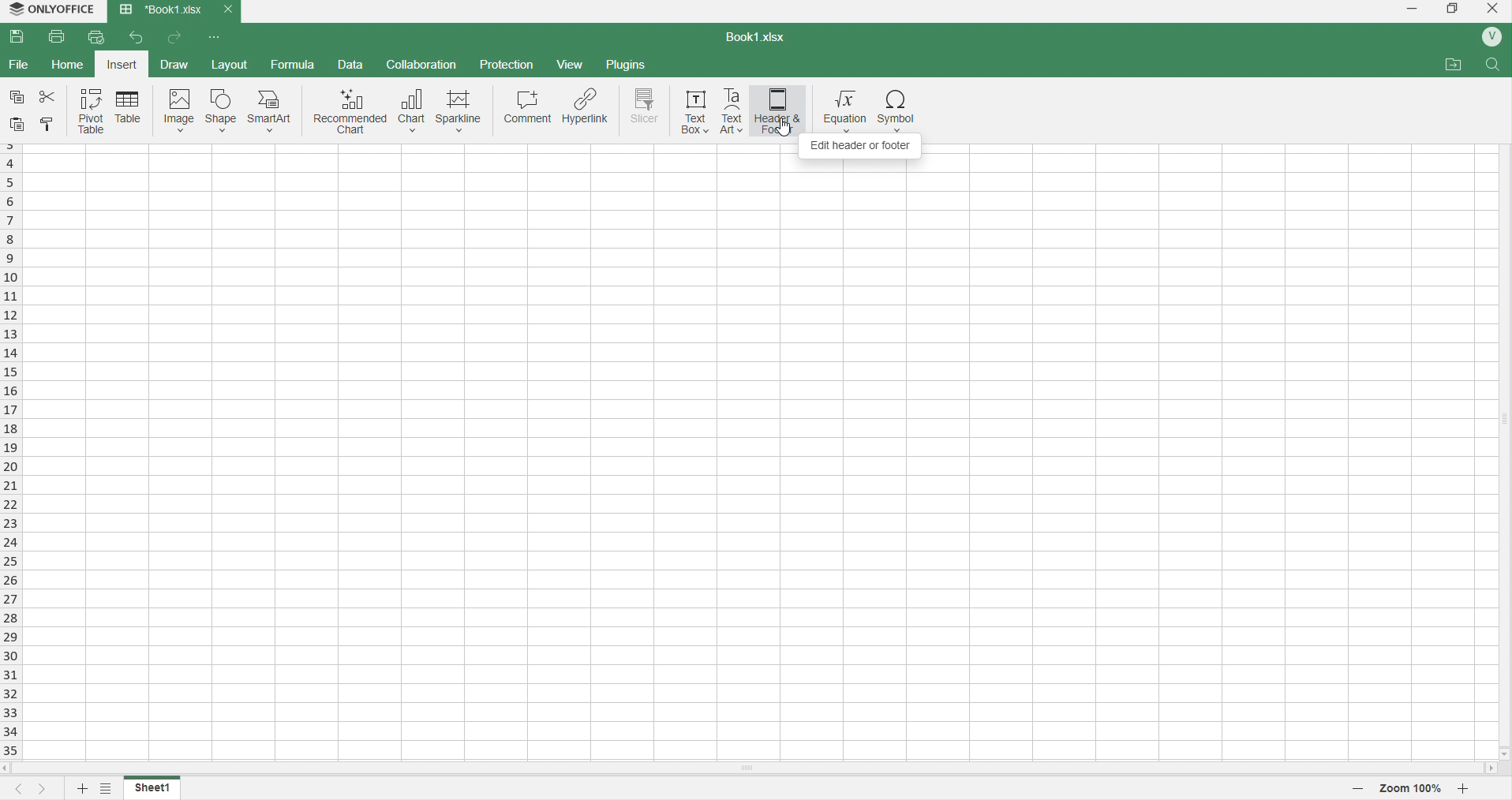 The width and height of the screenshot is (1512, 800). What do you see at coordinates (643, 112) in the screenshot?
I see `slicer` at bounding box center [643, 112].